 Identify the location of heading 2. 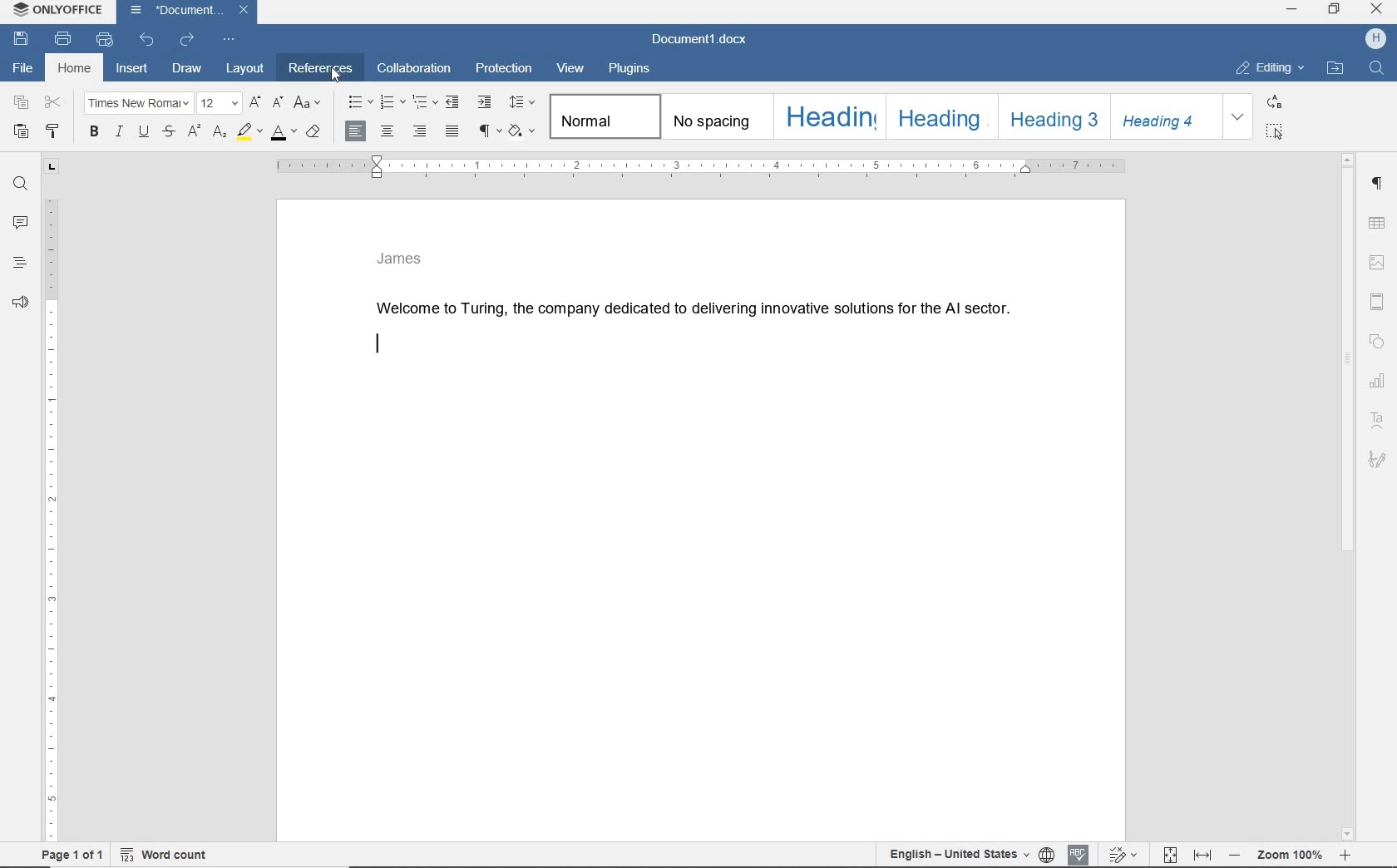
(941, 116).